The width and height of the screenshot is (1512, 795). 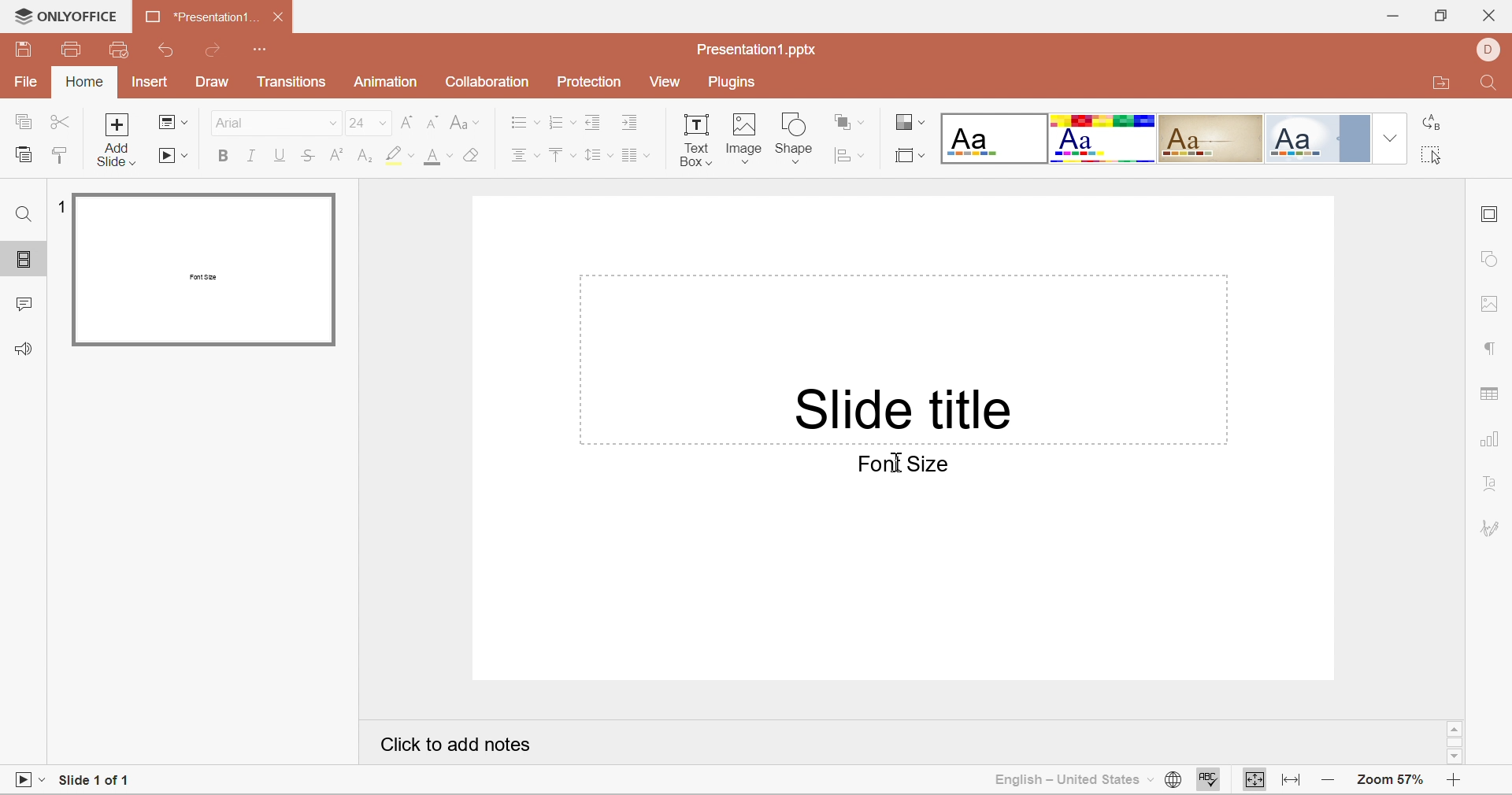 What do you see at coordinates (399, 158) in the screenshot?
I see `Highlight color` at bounding box center [399, 158].